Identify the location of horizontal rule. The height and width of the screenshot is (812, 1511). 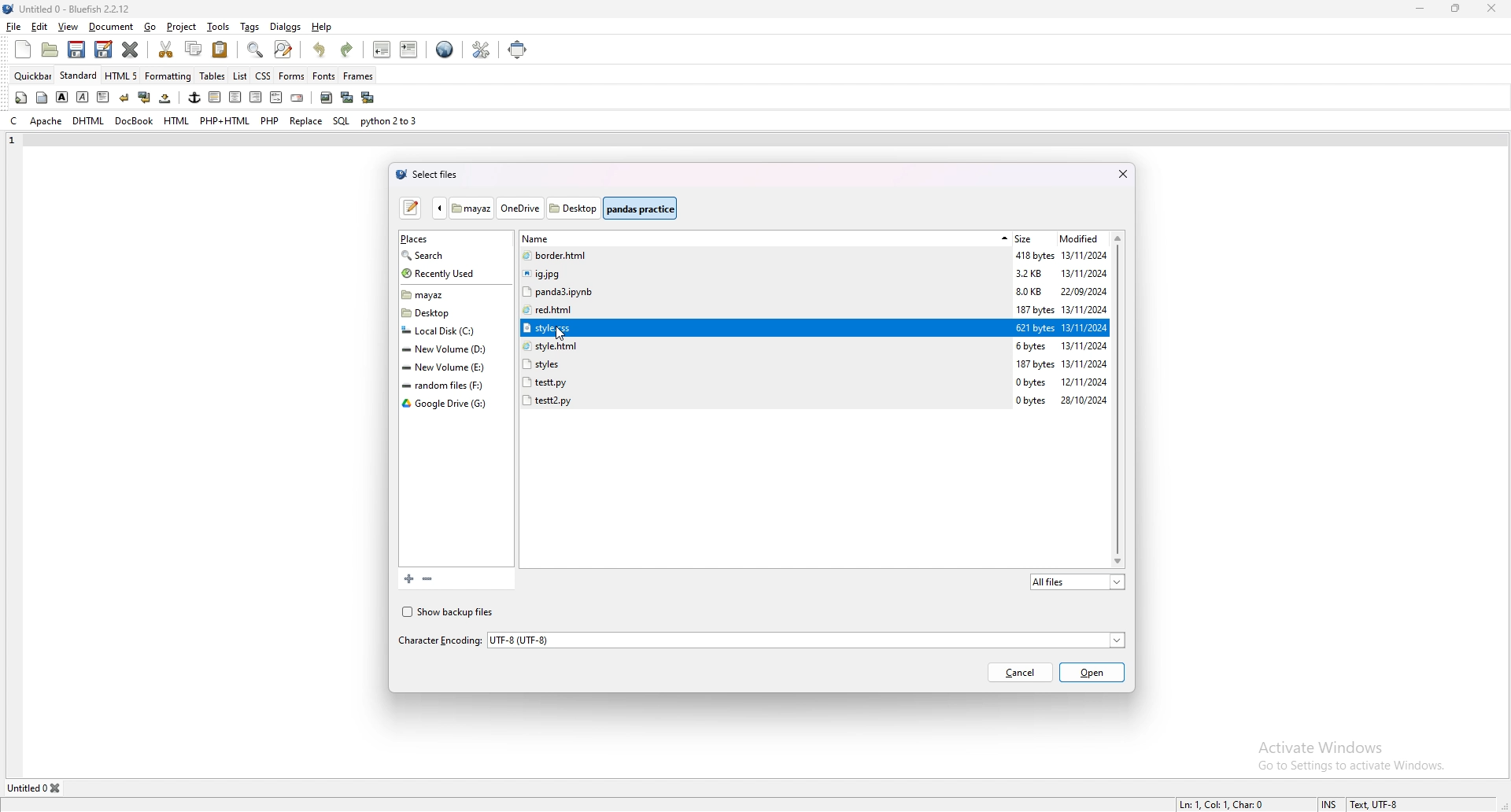
(215, 97).